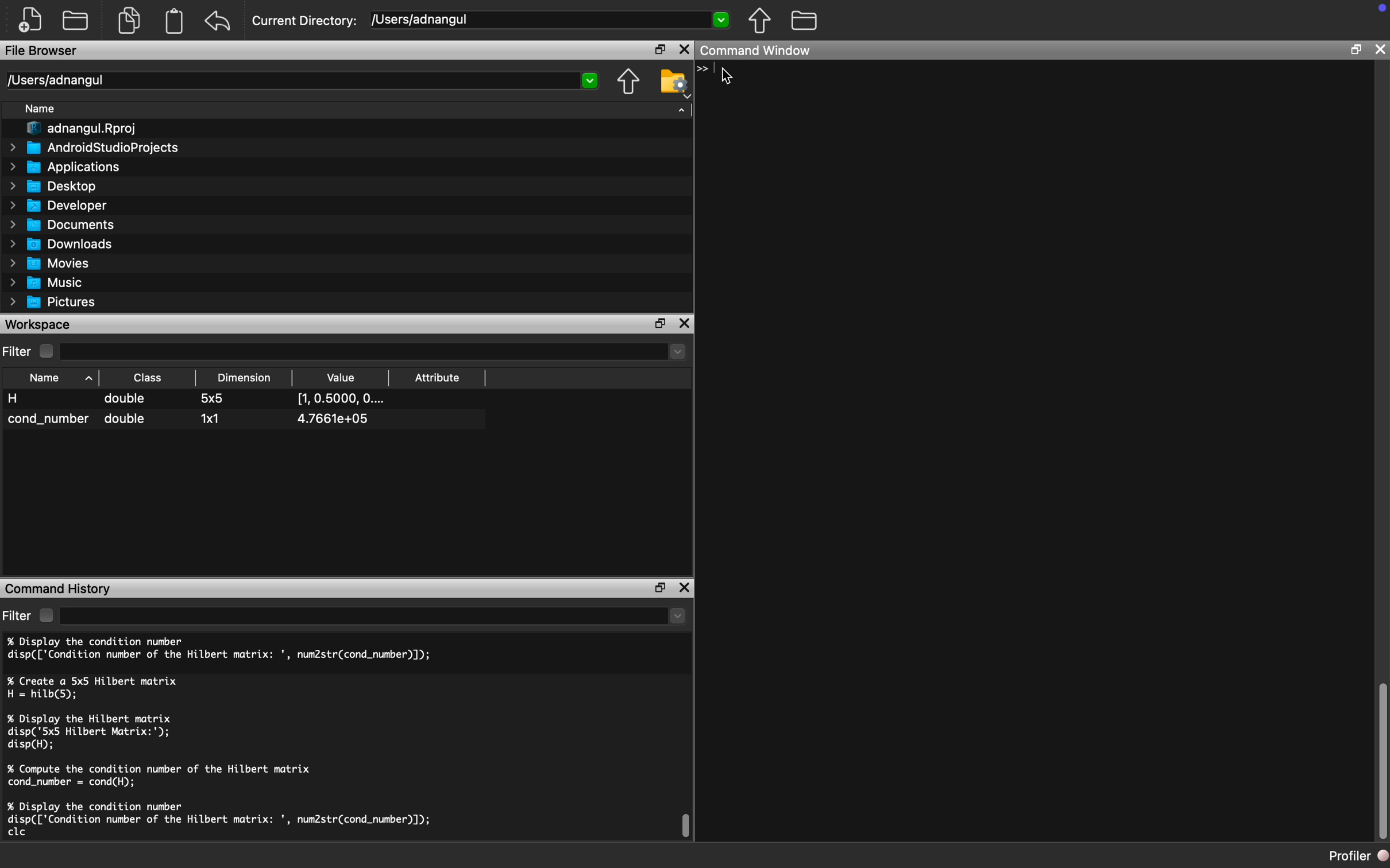 Image resolution: width=1390 pixels, height=868 pixels. I want to click on cond_number double 1x1 4.7661e+05, so click(192, 419).